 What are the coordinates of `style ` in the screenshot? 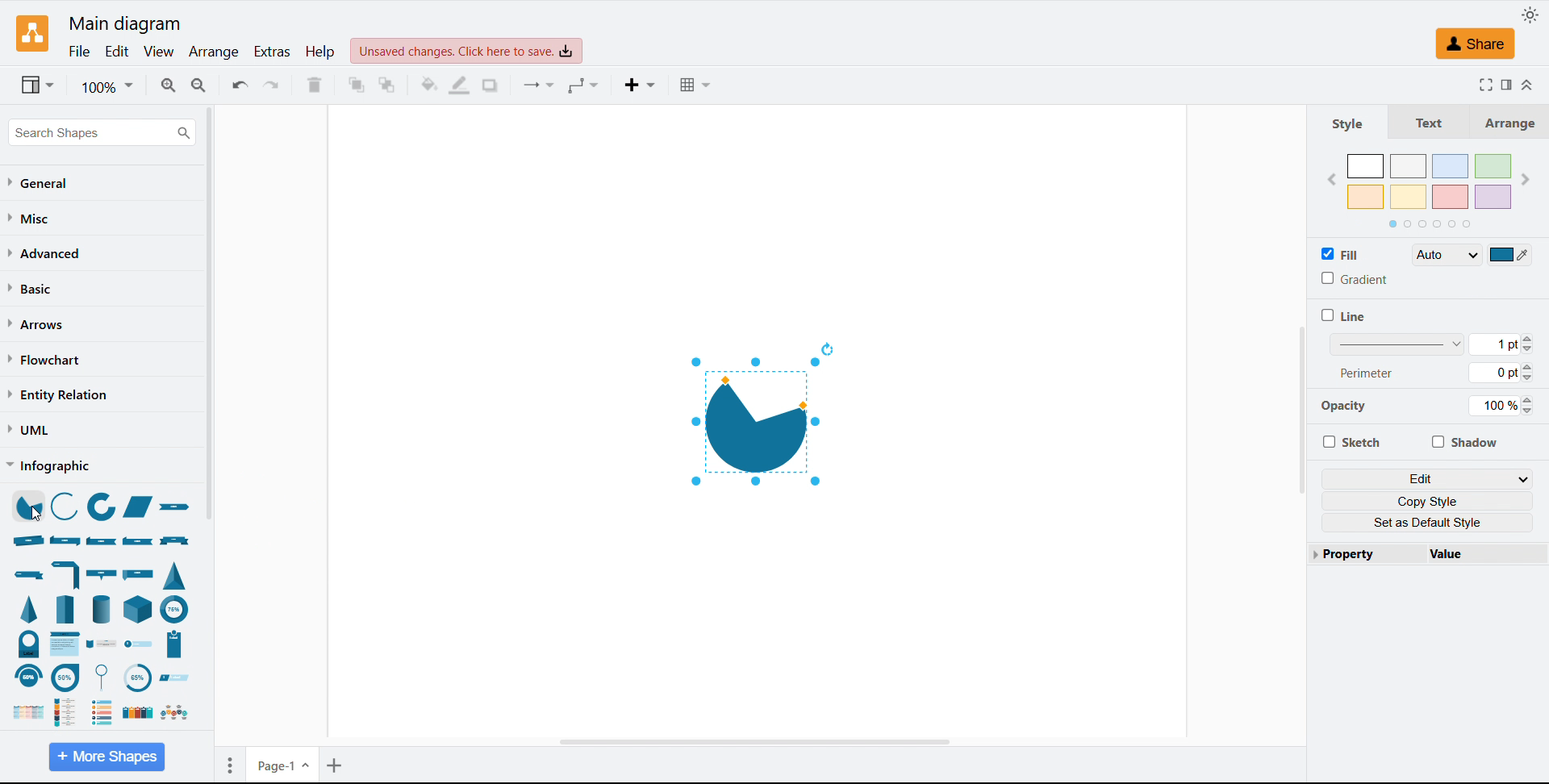 It's located at (1347, 123).